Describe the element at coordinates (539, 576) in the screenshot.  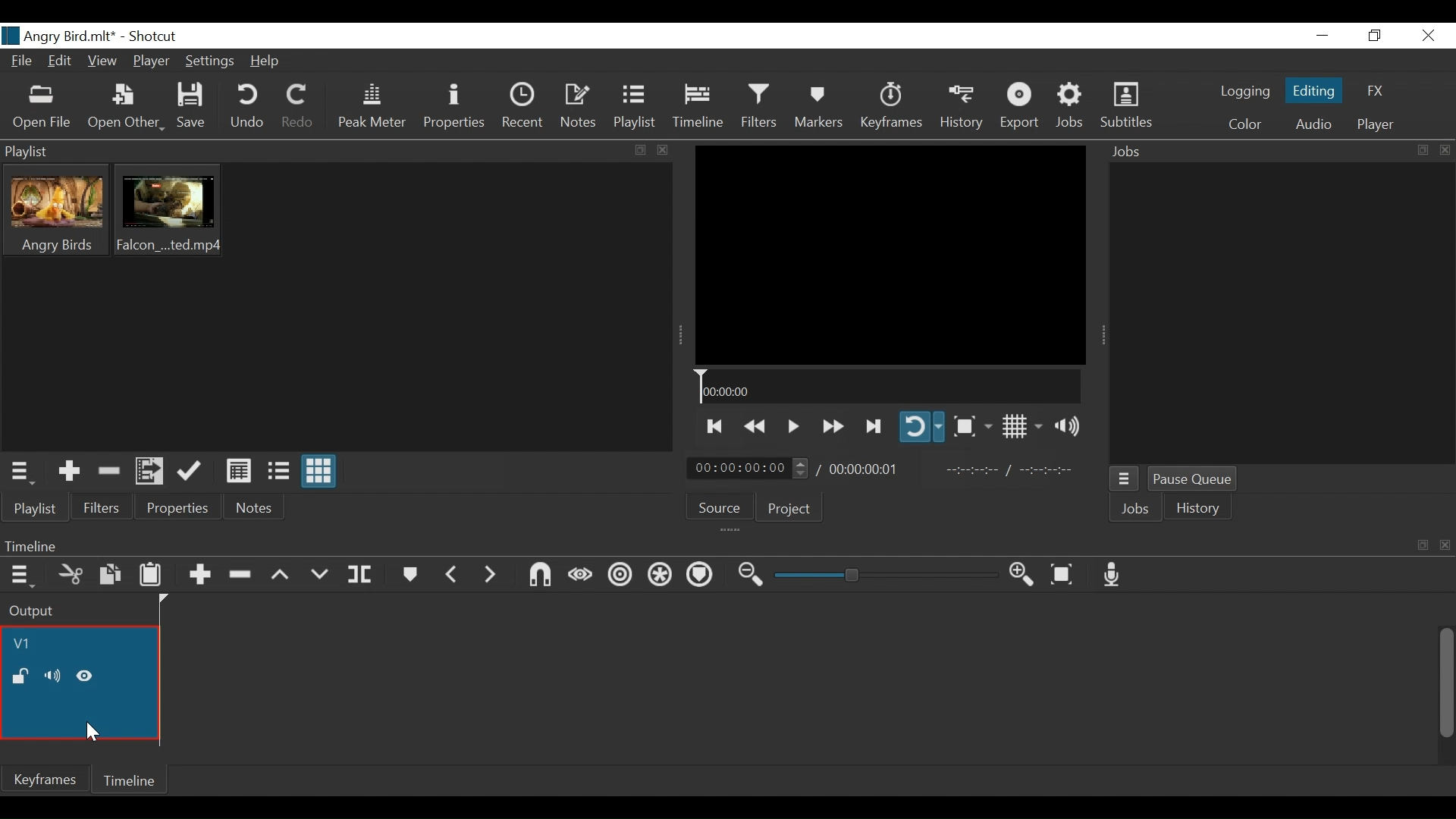
I see `Snap` at that location.